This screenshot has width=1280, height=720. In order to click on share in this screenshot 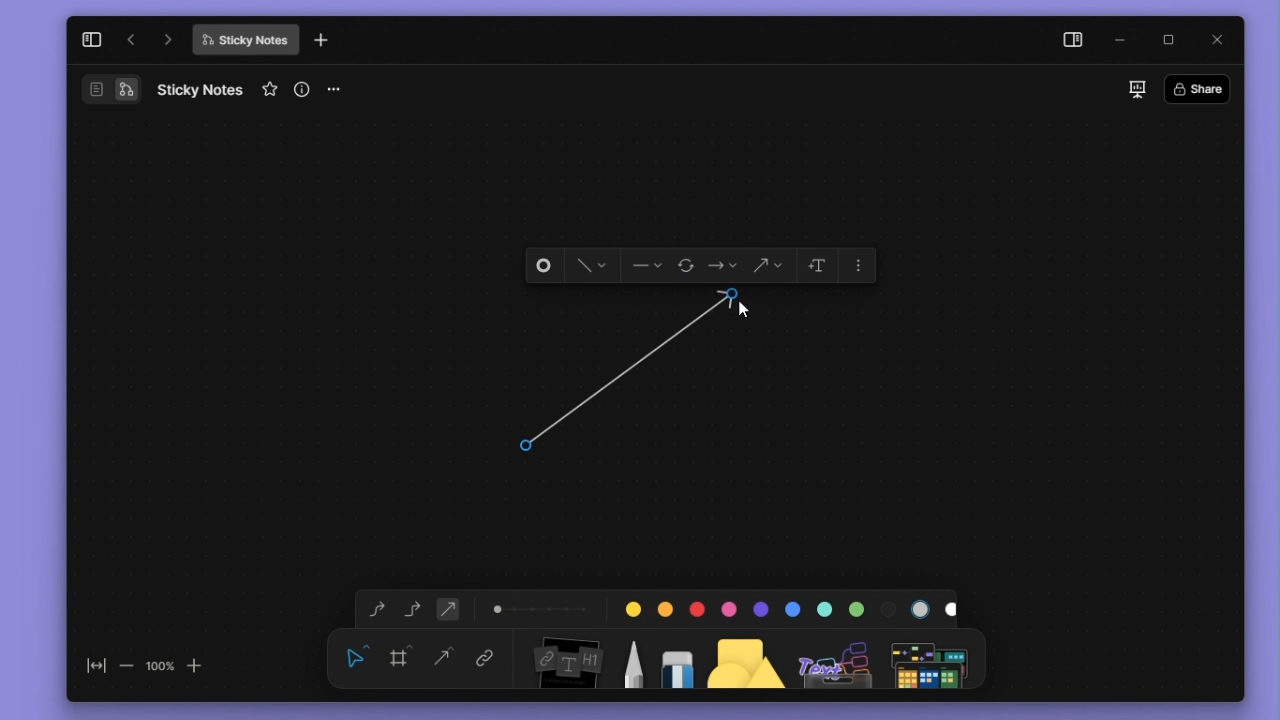, I will do `click(1203, 88)`.